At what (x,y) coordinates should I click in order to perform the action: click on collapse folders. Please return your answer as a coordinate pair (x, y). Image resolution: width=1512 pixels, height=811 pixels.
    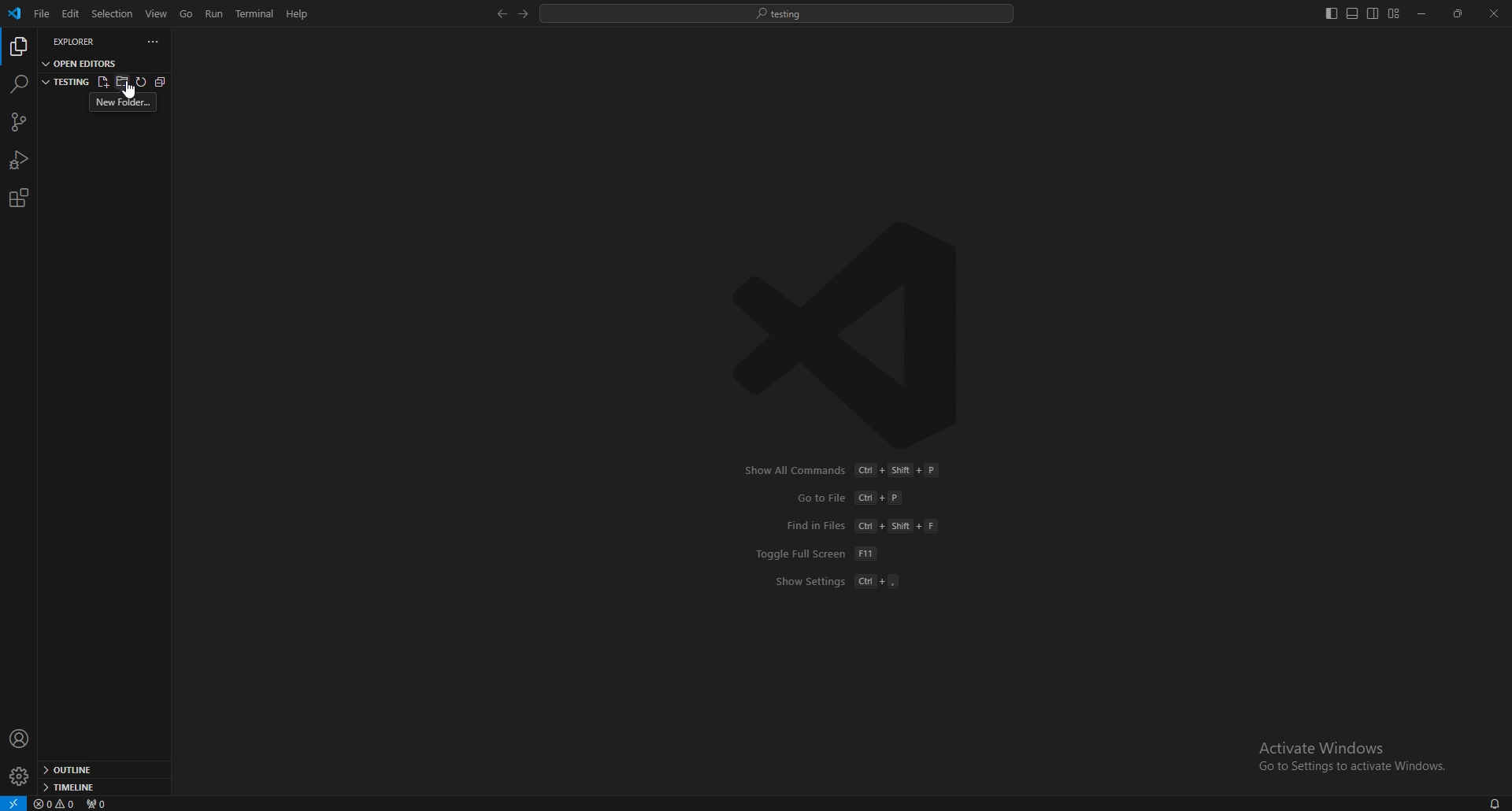
    Looking at the image, I should click on (159, 83).